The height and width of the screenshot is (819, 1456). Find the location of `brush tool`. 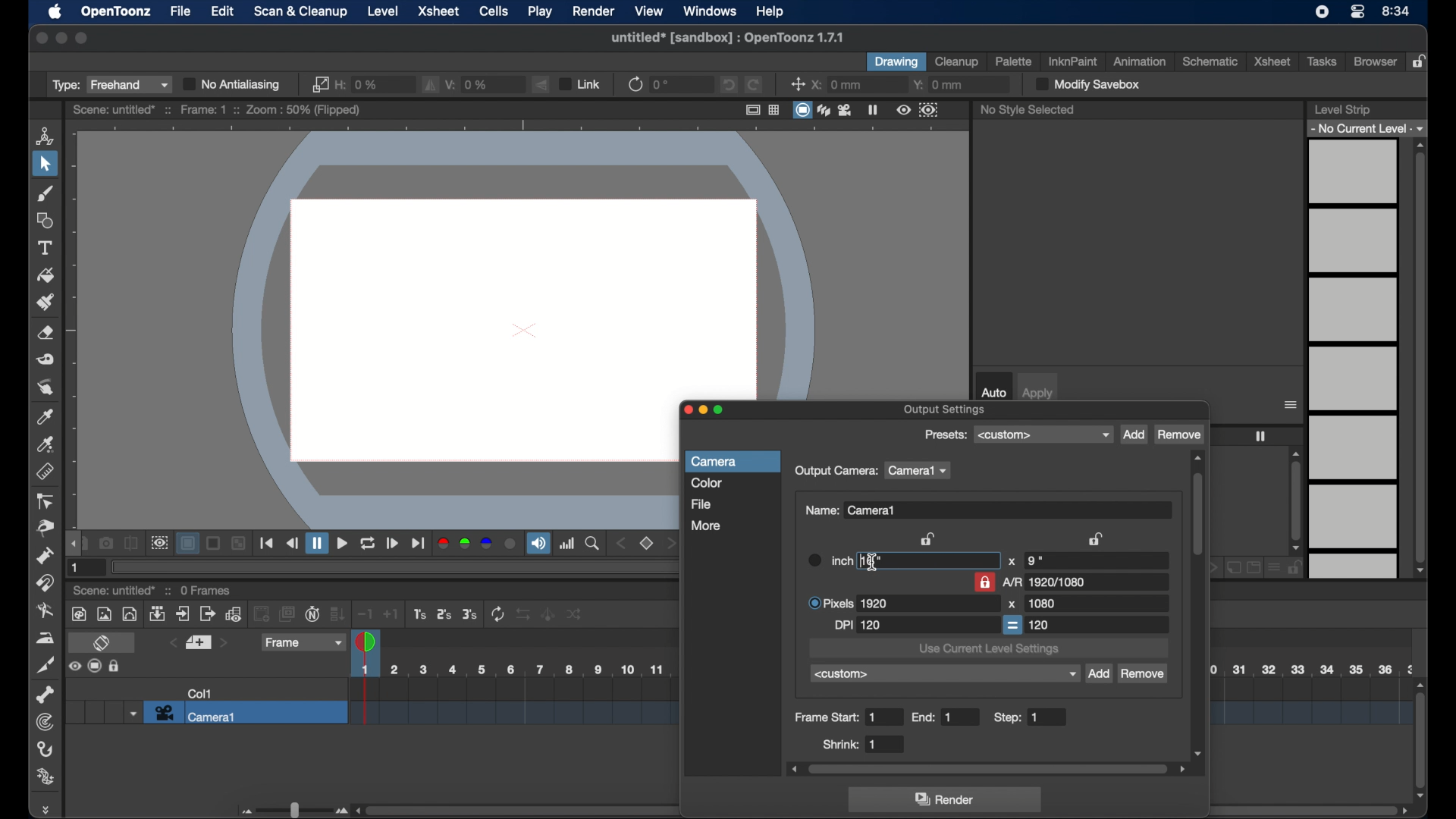

brush tool is located at coordinates (45, 193).